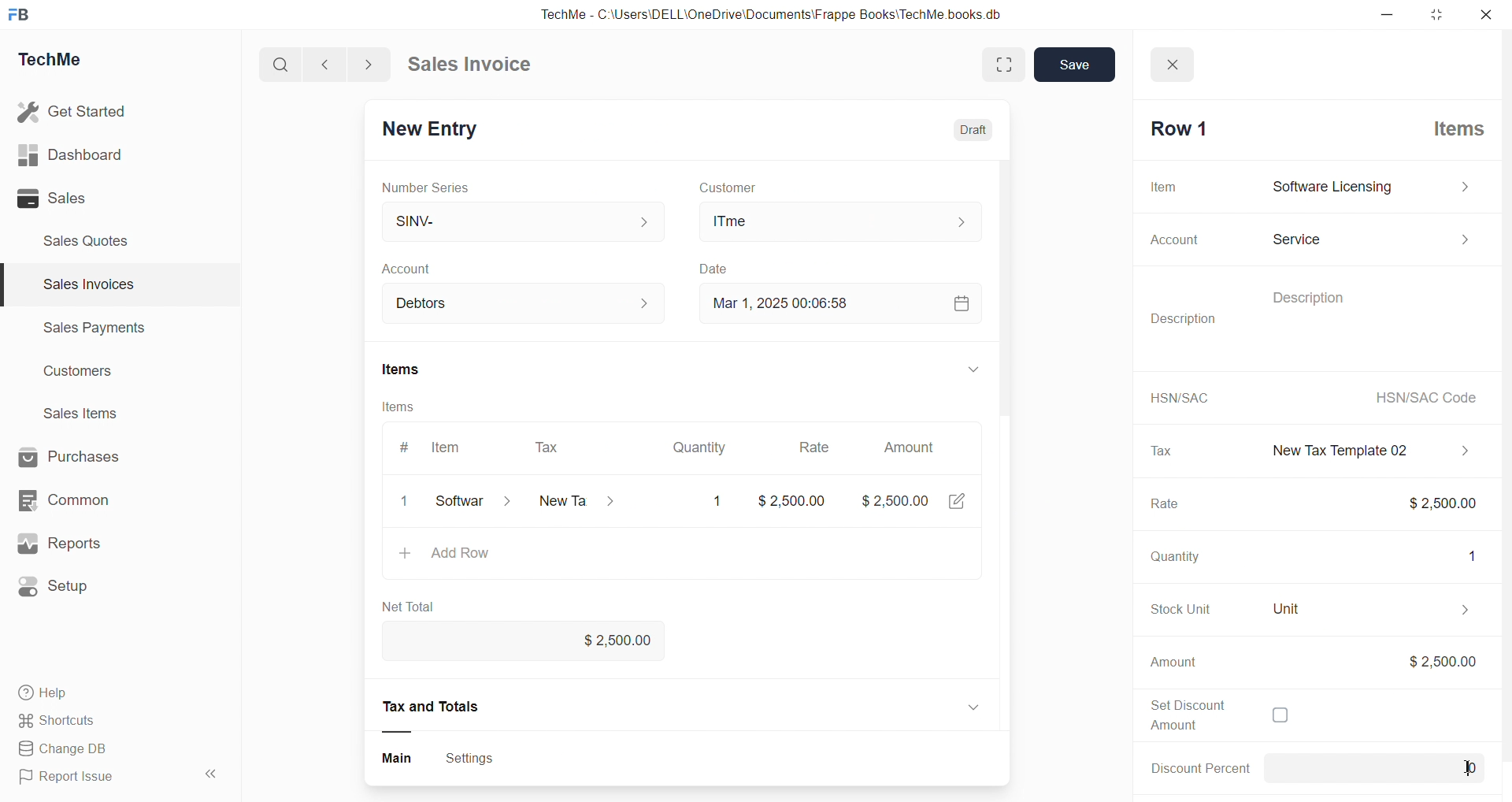  What do you see at coordinates (1170, 559) in the screenshot?
I see `Quantity` at bounding box center [1170, 559].